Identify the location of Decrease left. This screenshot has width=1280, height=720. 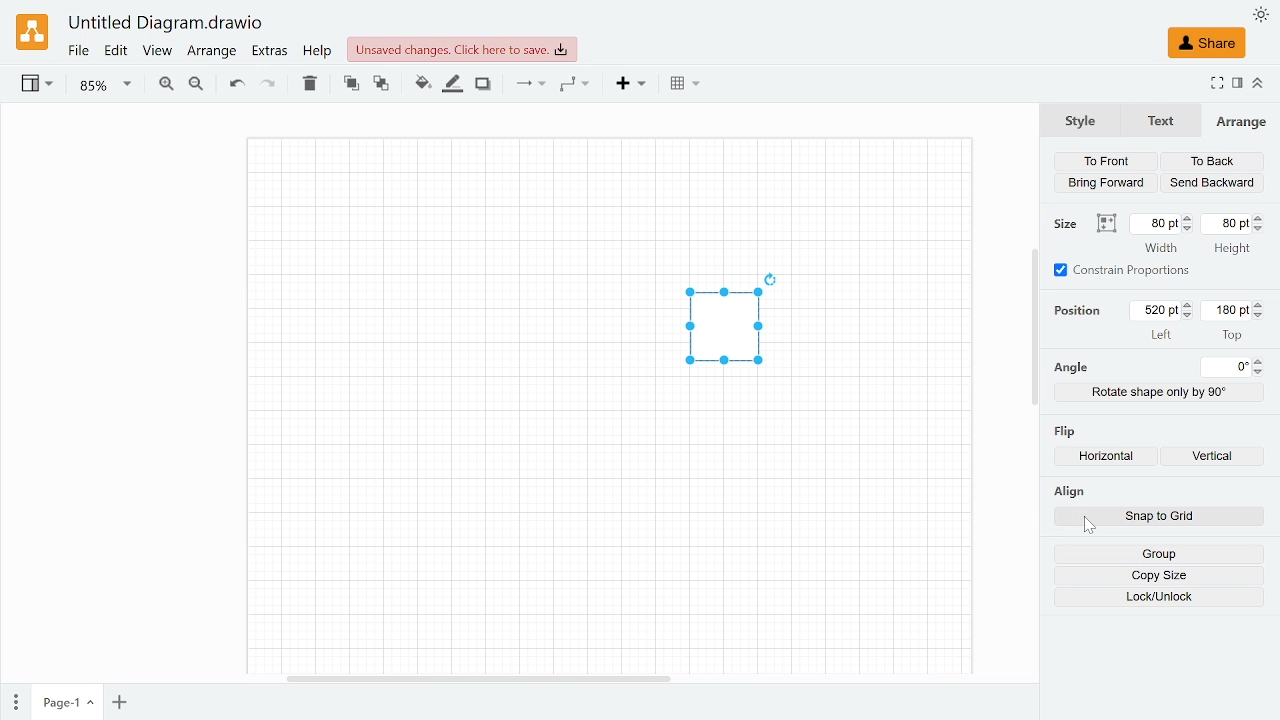
(1190, 316).